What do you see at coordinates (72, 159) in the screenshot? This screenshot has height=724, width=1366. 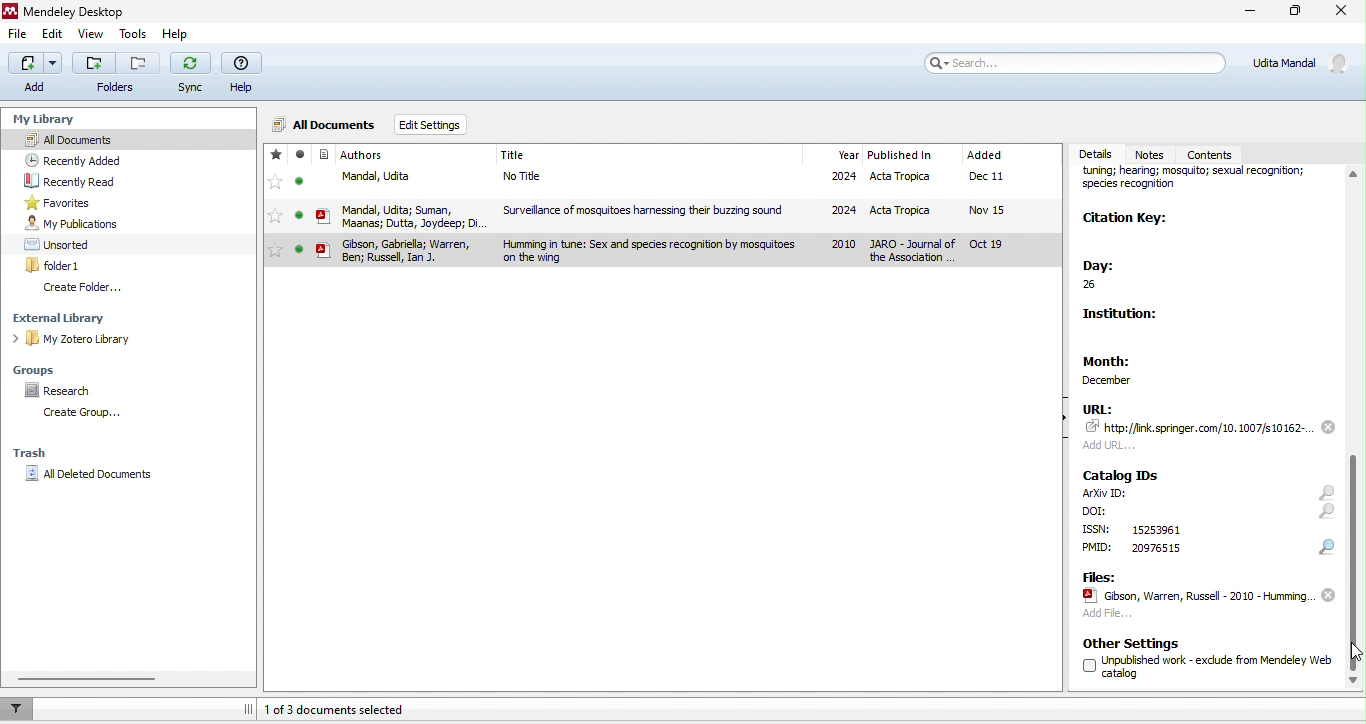 I see `recently added` at bounding box center [72, 159].